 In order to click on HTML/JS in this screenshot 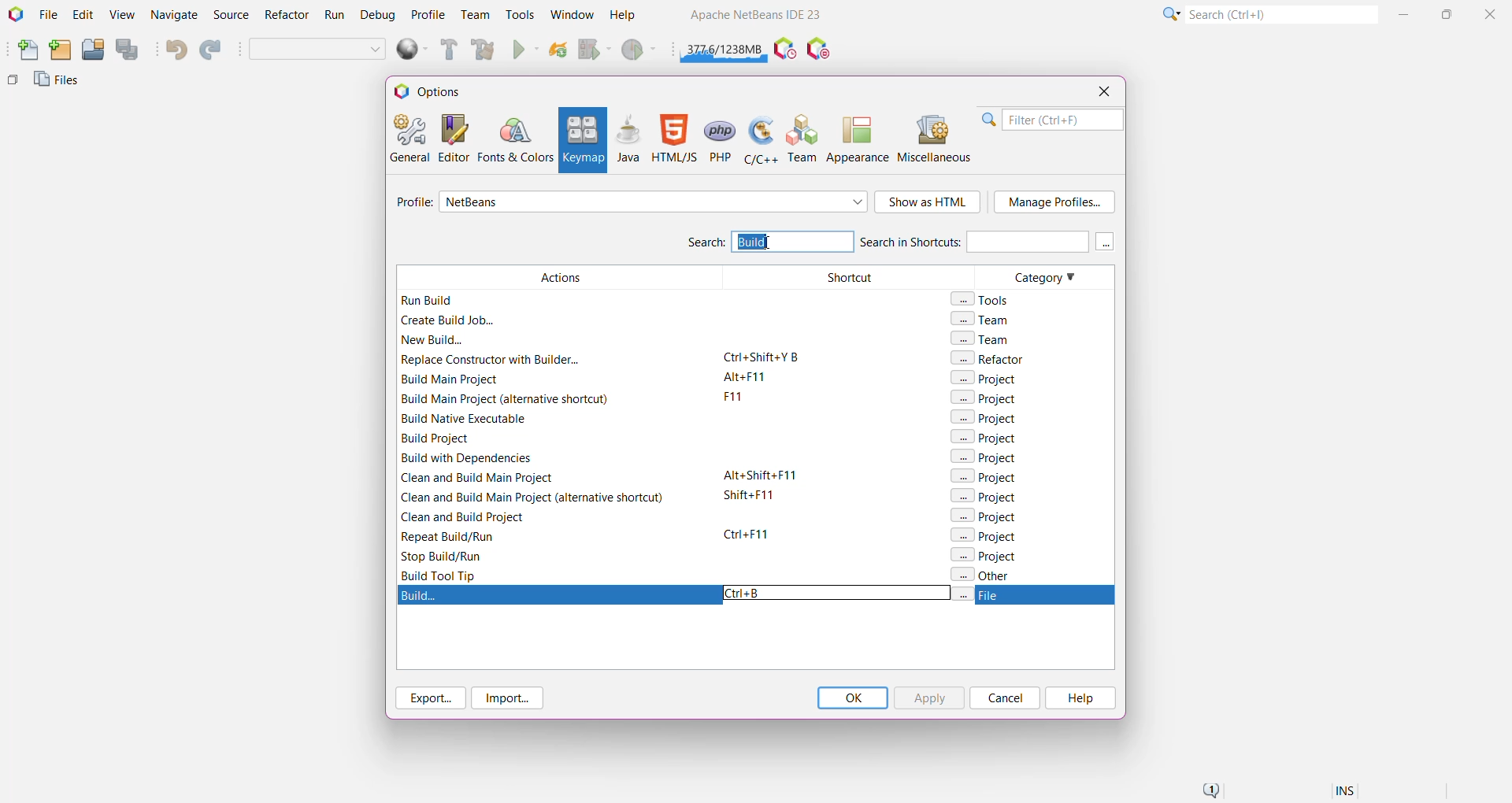, I will do `click(673, 139)`.